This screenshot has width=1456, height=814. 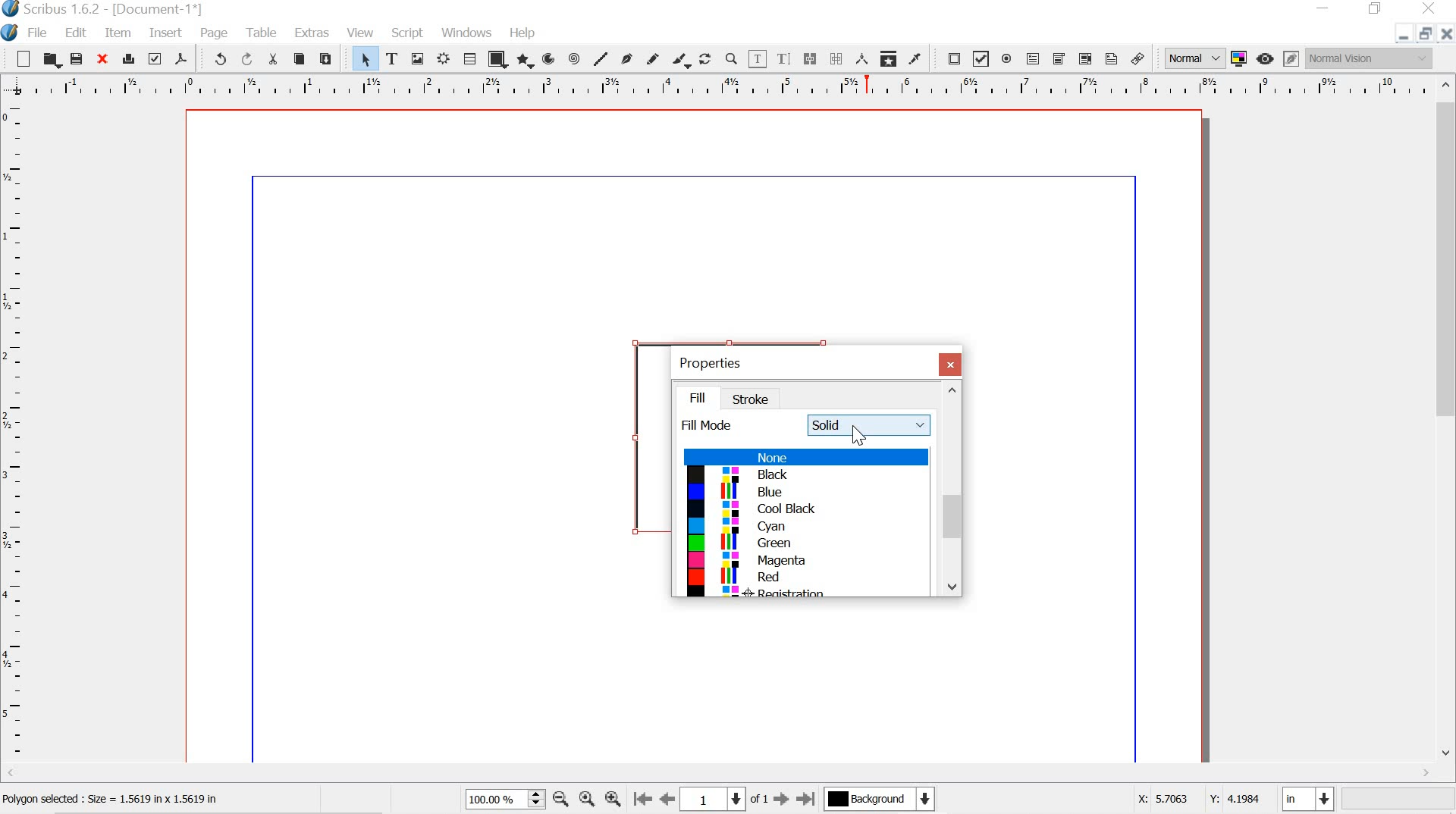 What do you see at coordinates (78, 32) in the screenshot?
I see `edit` at bounding box center [78, 32].